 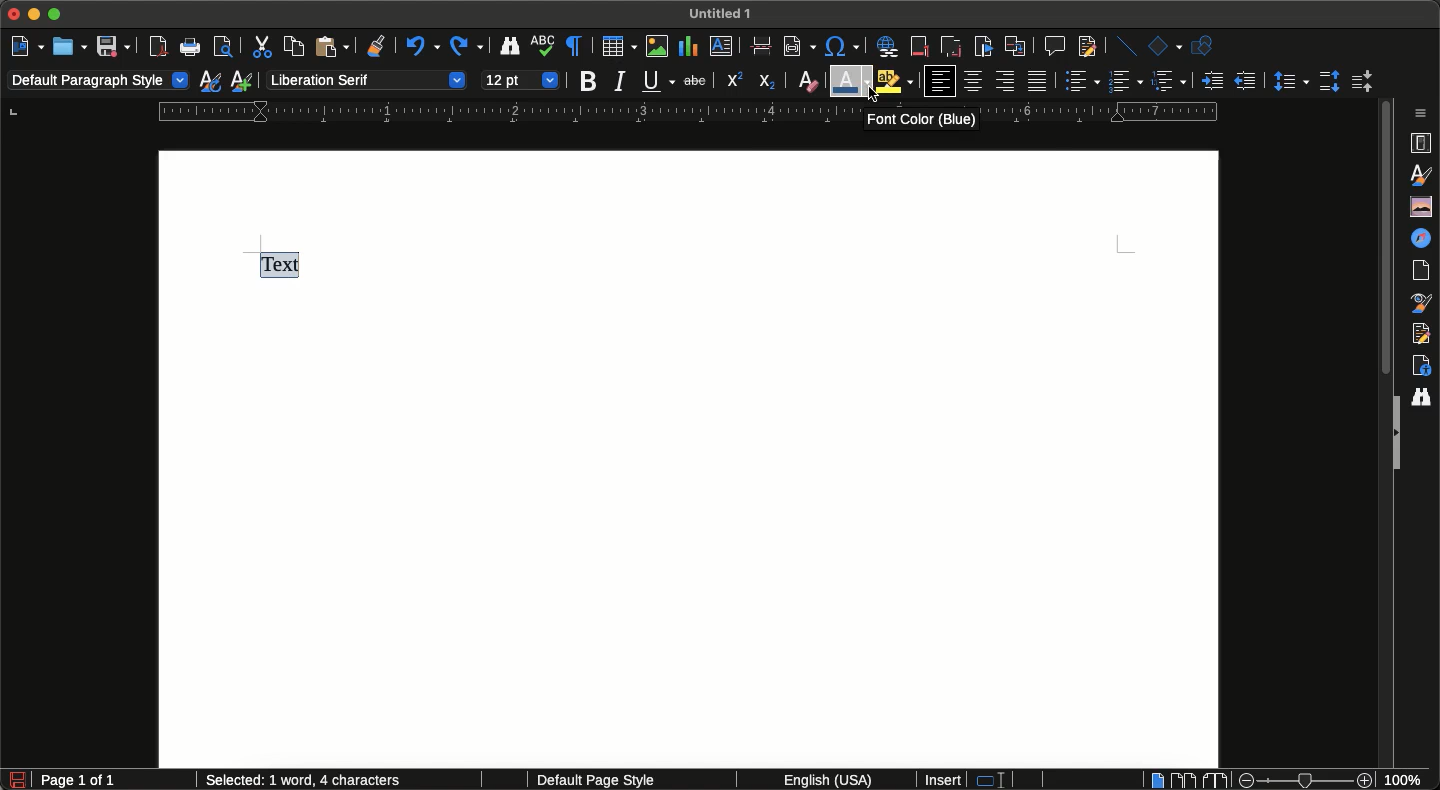 I want to click on Scroll, so click(x=1384, y=243).